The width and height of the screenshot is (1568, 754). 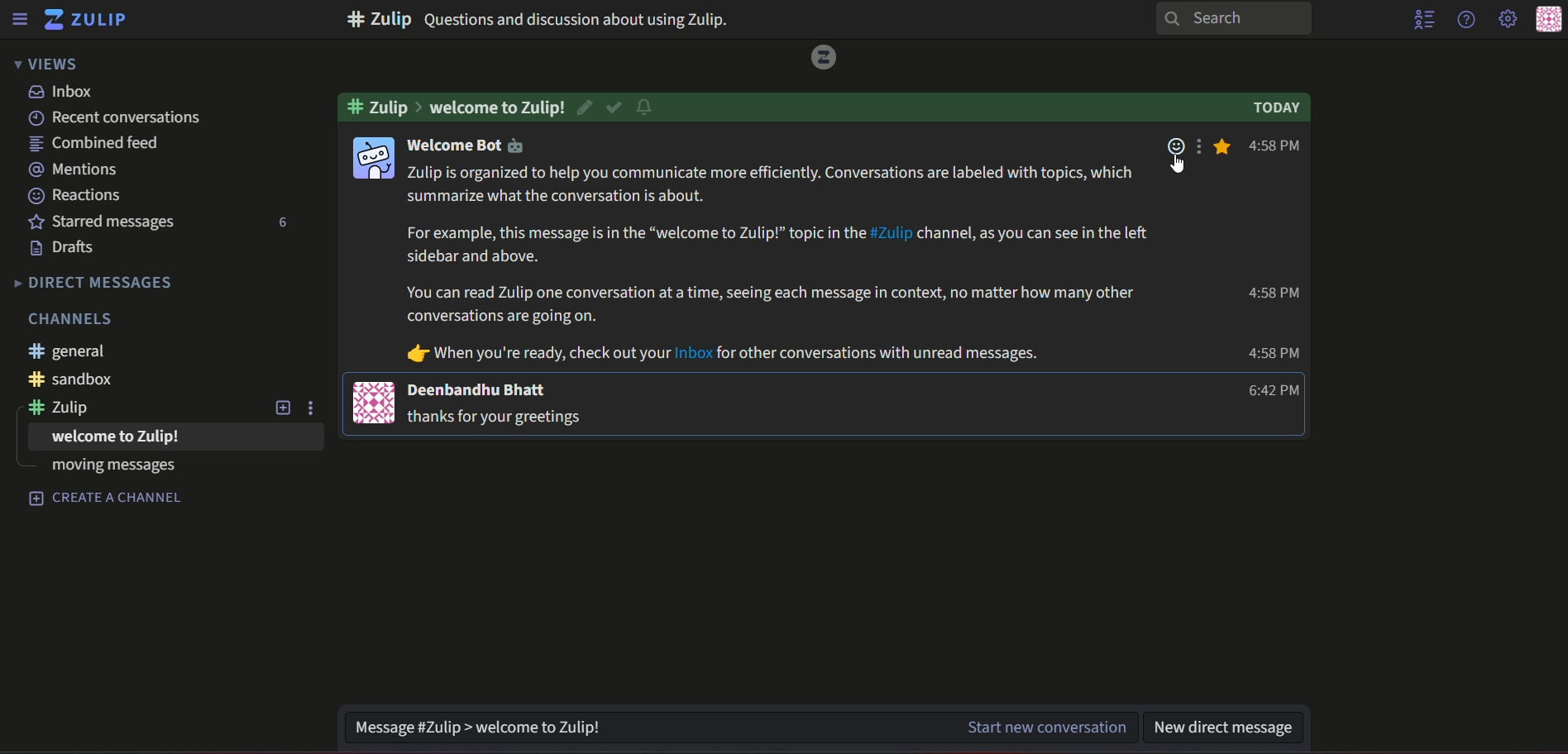 What do you see at coordinates (1202, 150) in the screenshot?
I see `options` at bounding box center [1202, 150].